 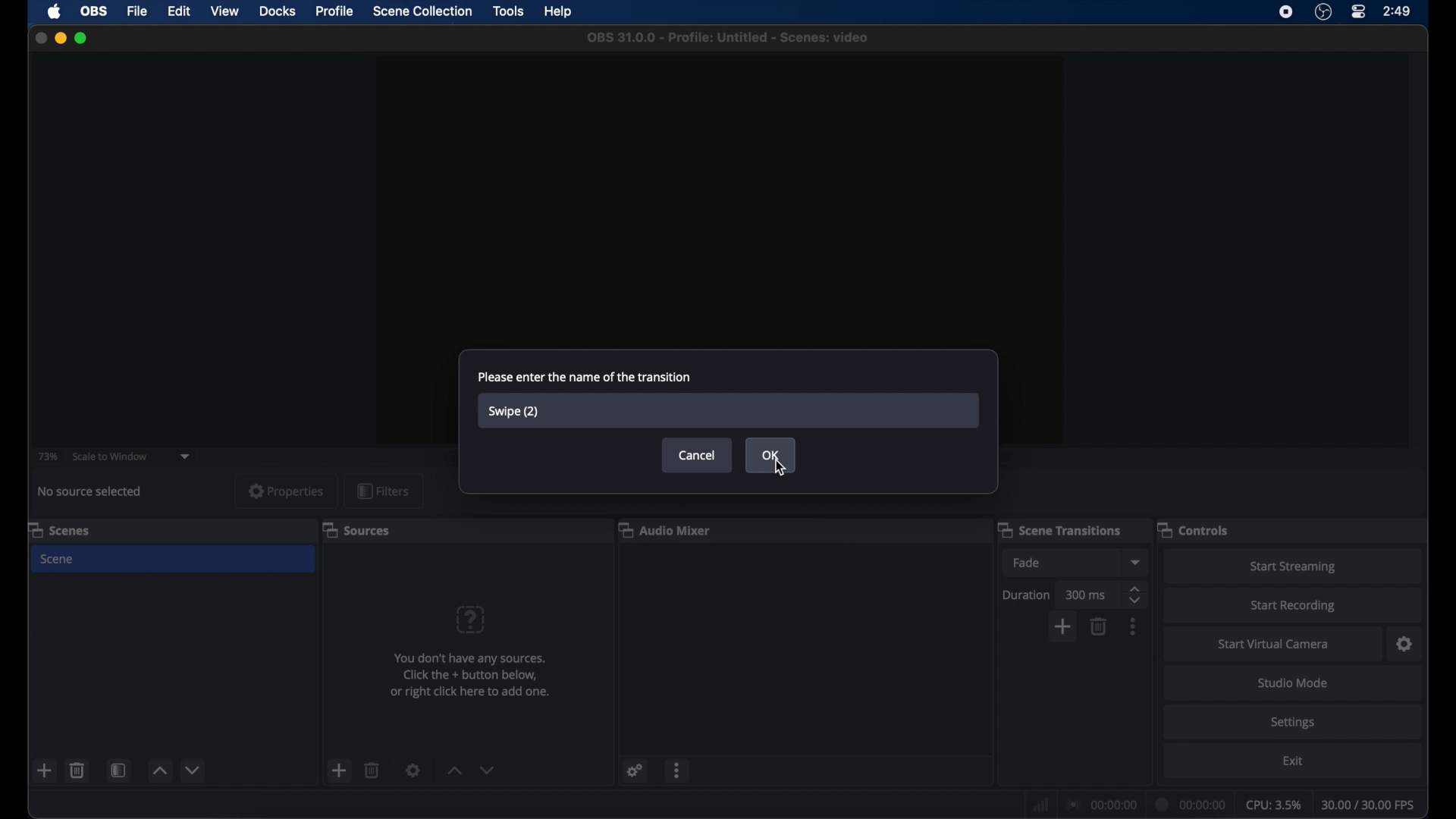 What do you see at coordinates (194, 770) in the screenshot?
I see `decrement ` at bounding box center [194, 770].